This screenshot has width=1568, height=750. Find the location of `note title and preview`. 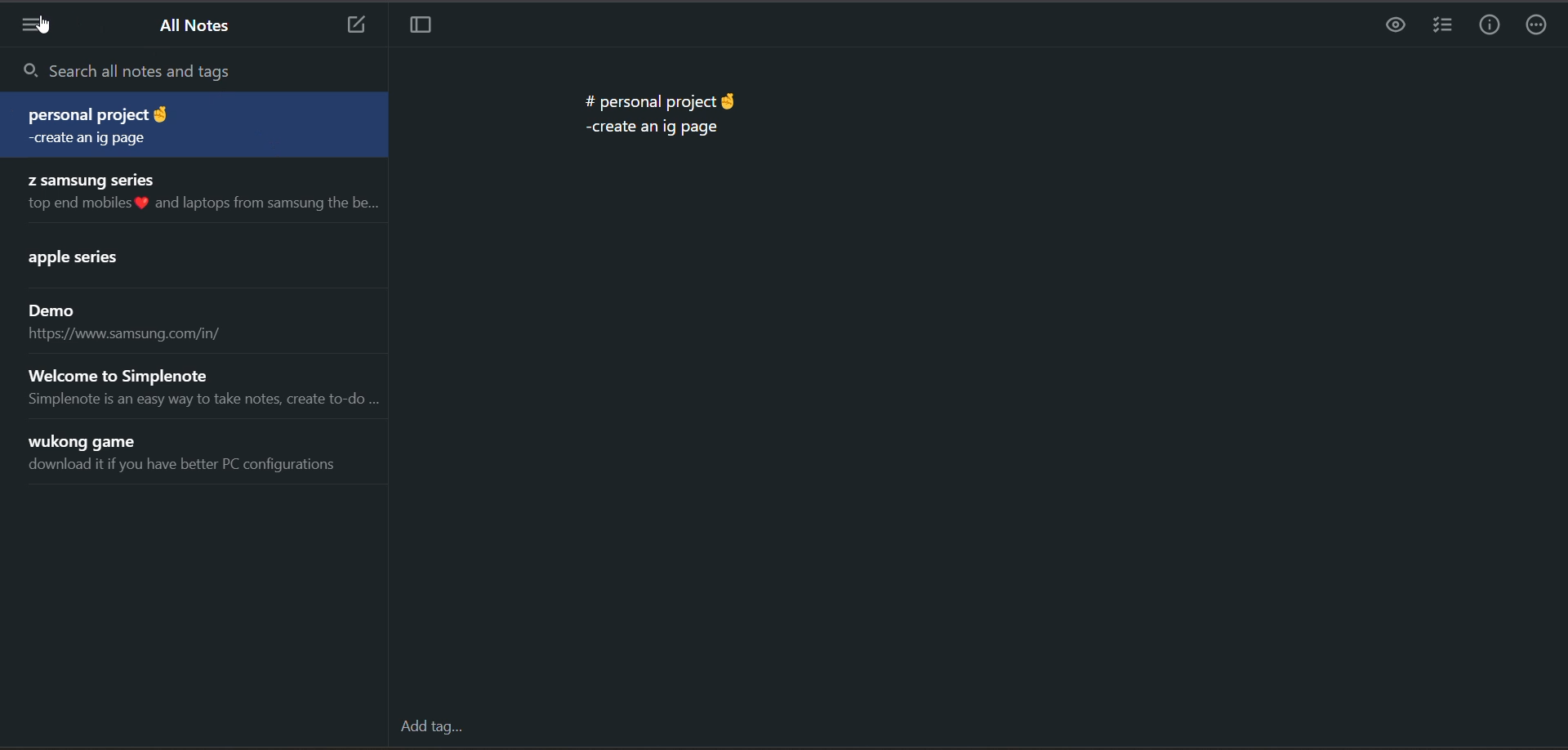

note title and preview is located at coordinates (199, 193).